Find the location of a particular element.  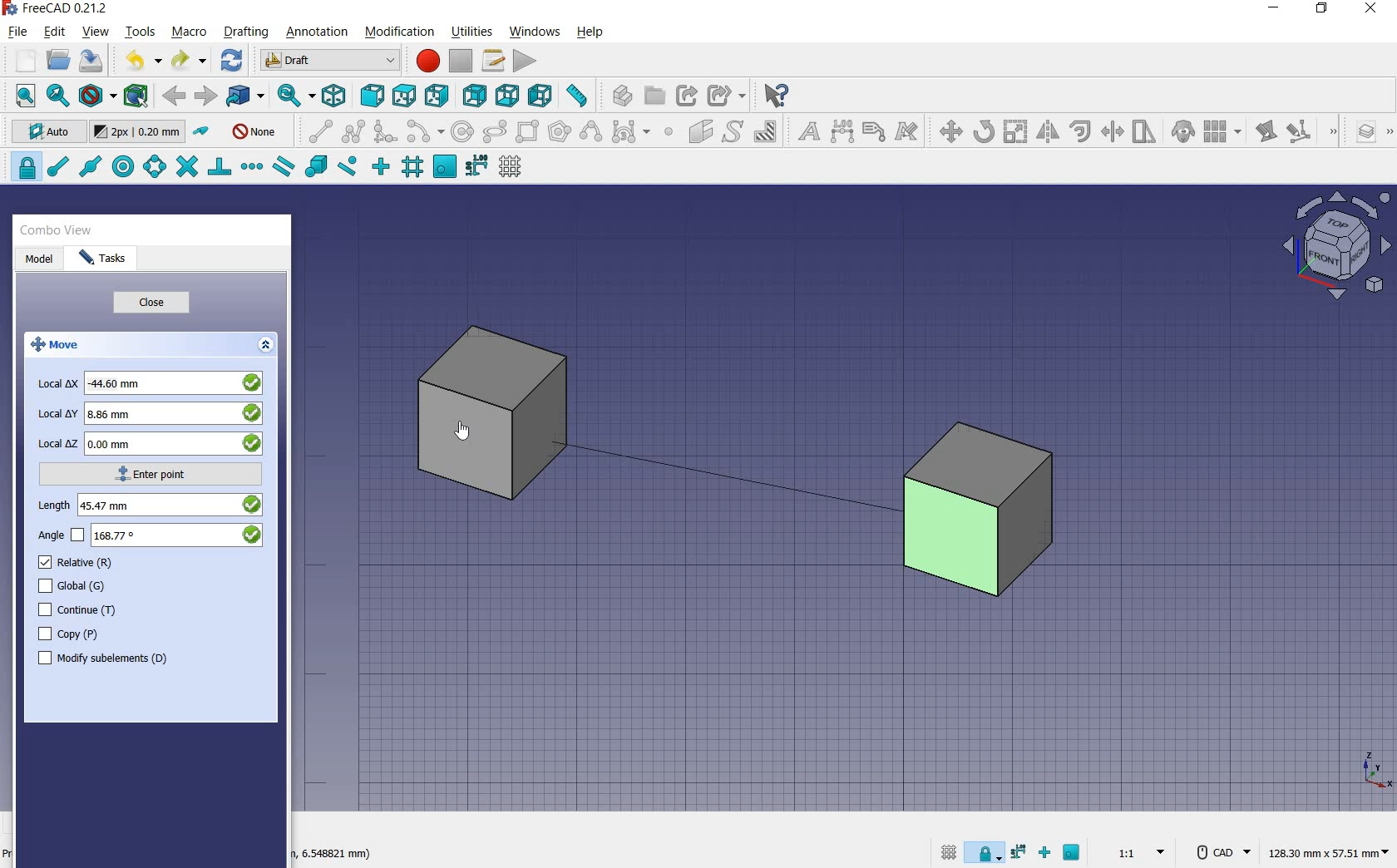

polyline is located at coordinates (354, 132).